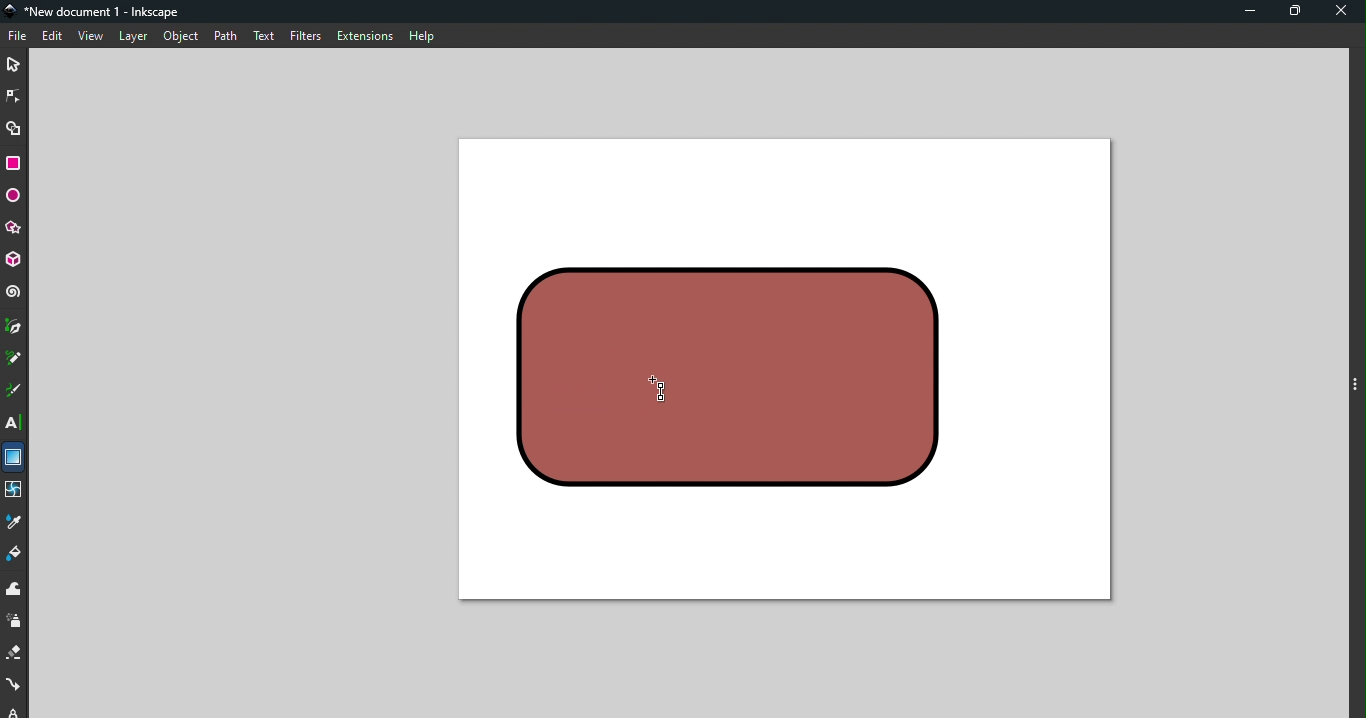 The image size is (1366, 718). What do you see at coordinates (14, 492) in the screenshot?
I see `Mesh tool` at bounding box center [14, 492].